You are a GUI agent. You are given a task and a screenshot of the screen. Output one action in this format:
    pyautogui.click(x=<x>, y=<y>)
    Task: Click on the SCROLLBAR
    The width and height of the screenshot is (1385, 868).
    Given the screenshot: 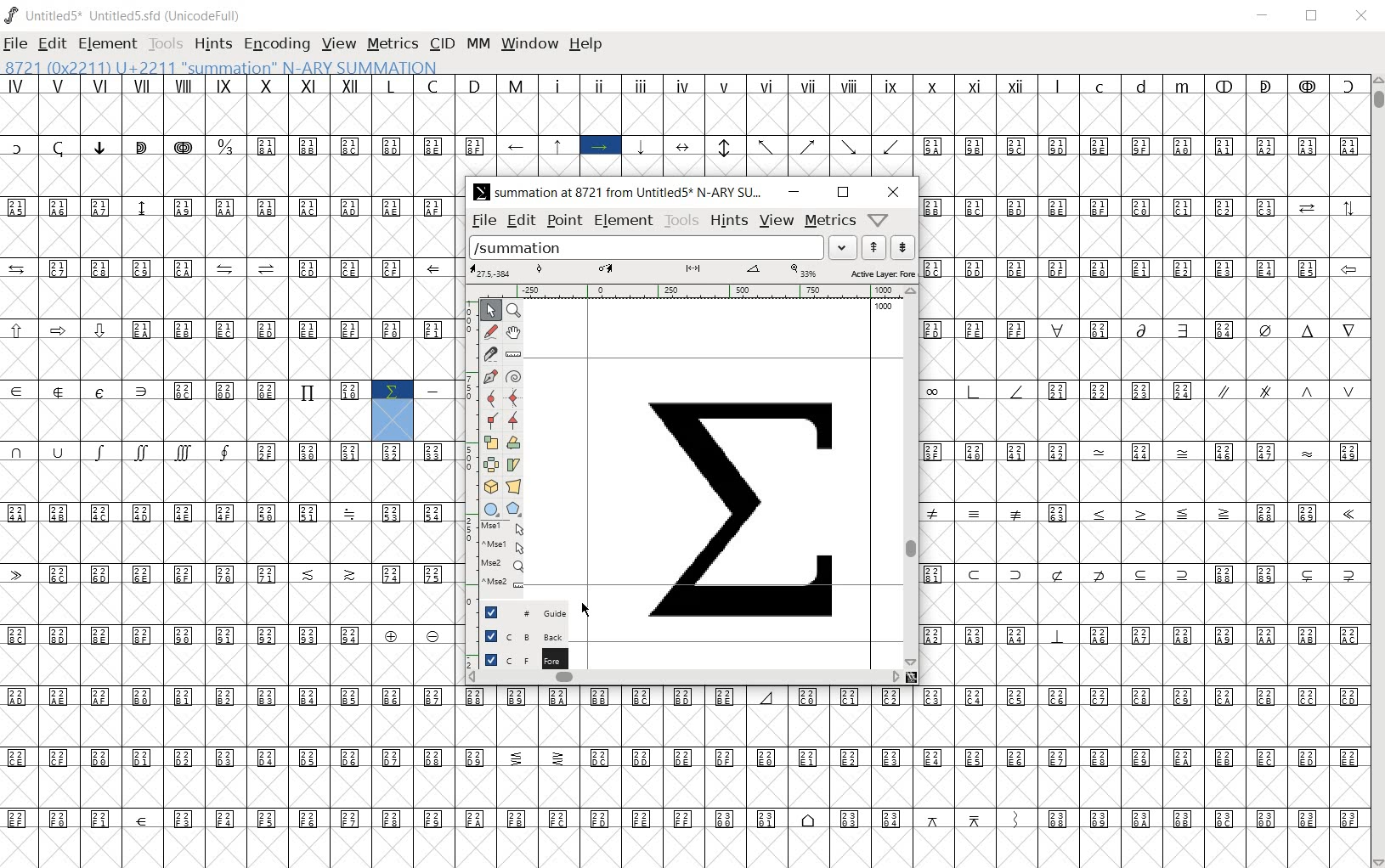 What is the action you would take?
    pyautogui.click(x=1377, y=470)
    